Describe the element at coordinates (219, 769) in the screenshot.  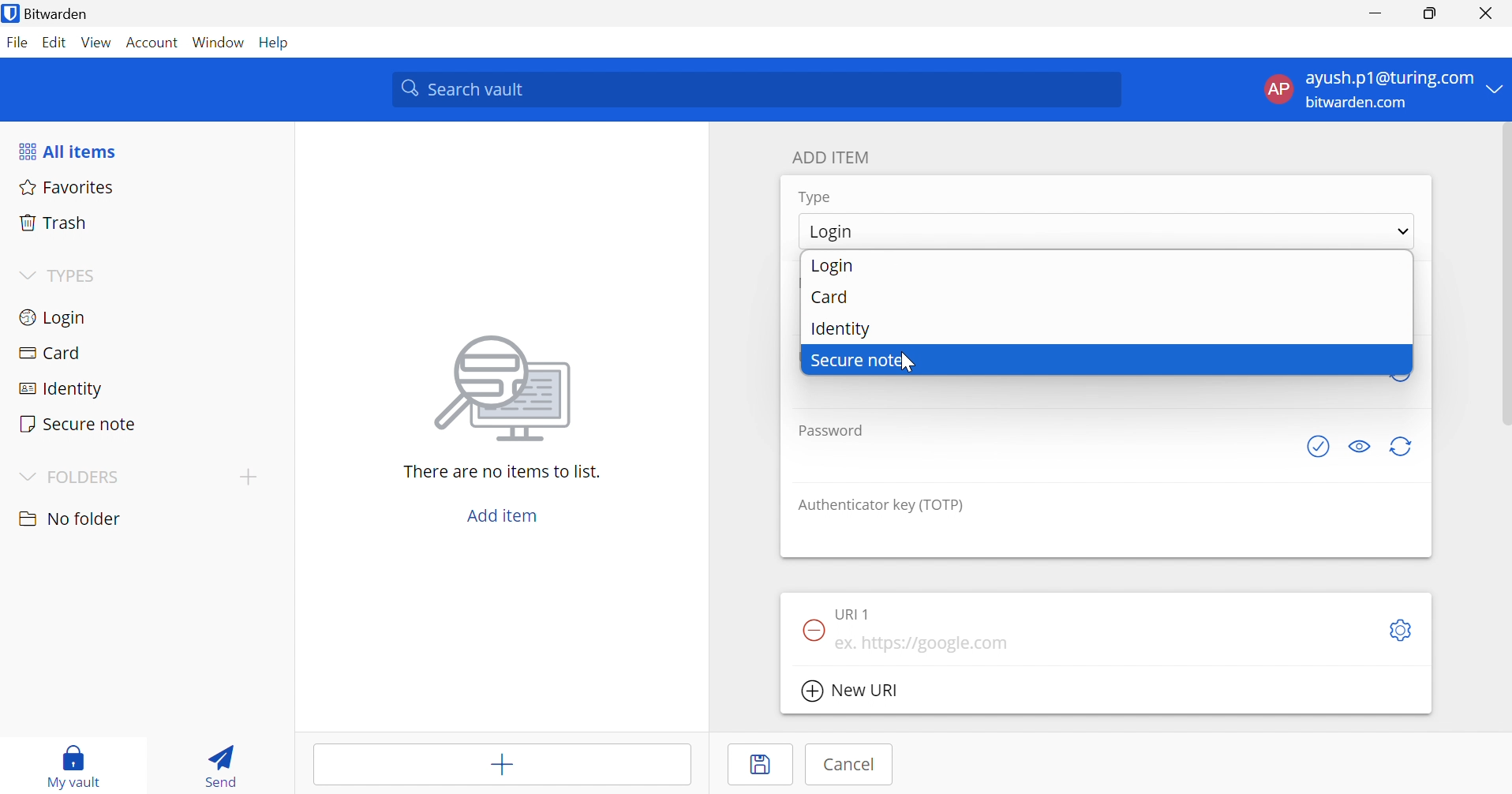
I see `Send` at that location.